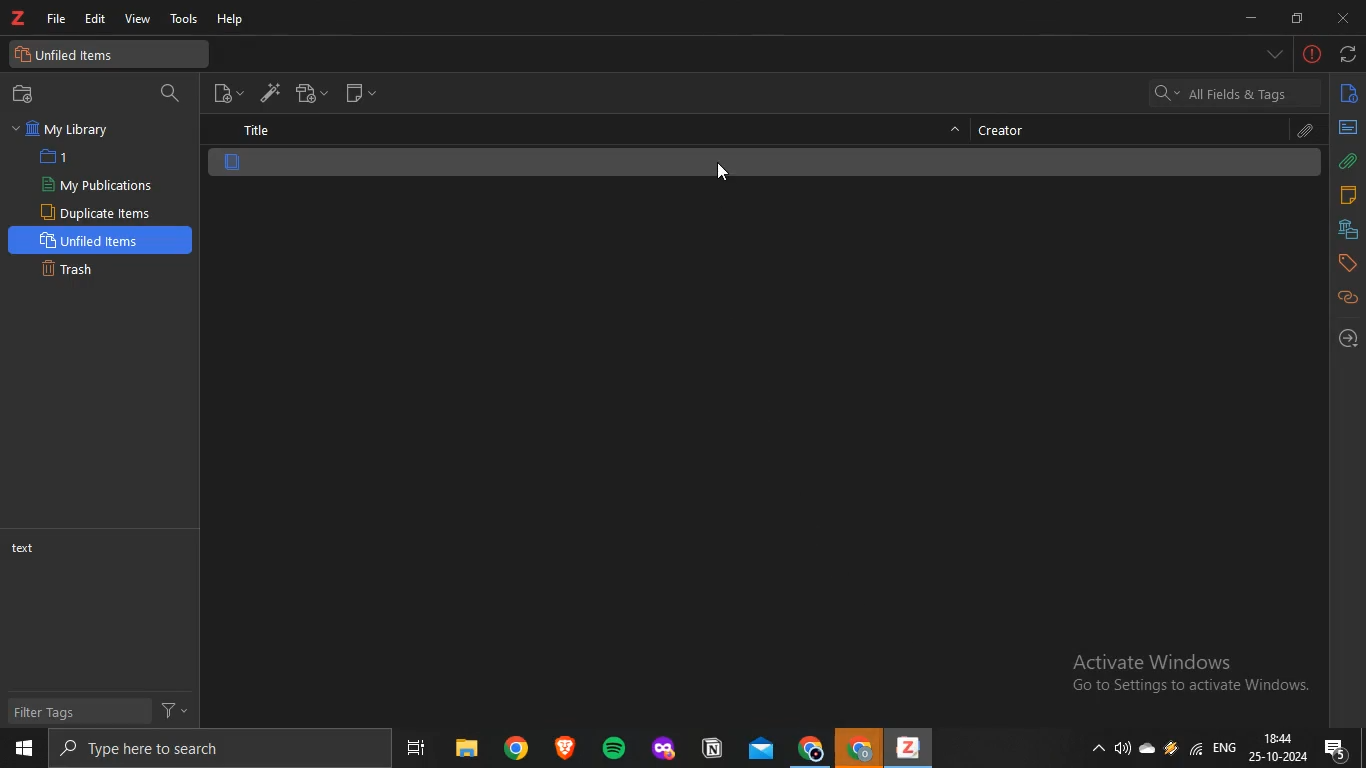 Image resolution: width=1366 pixels, height=768 pixels. I want to click on eng, so click(1224, 750).